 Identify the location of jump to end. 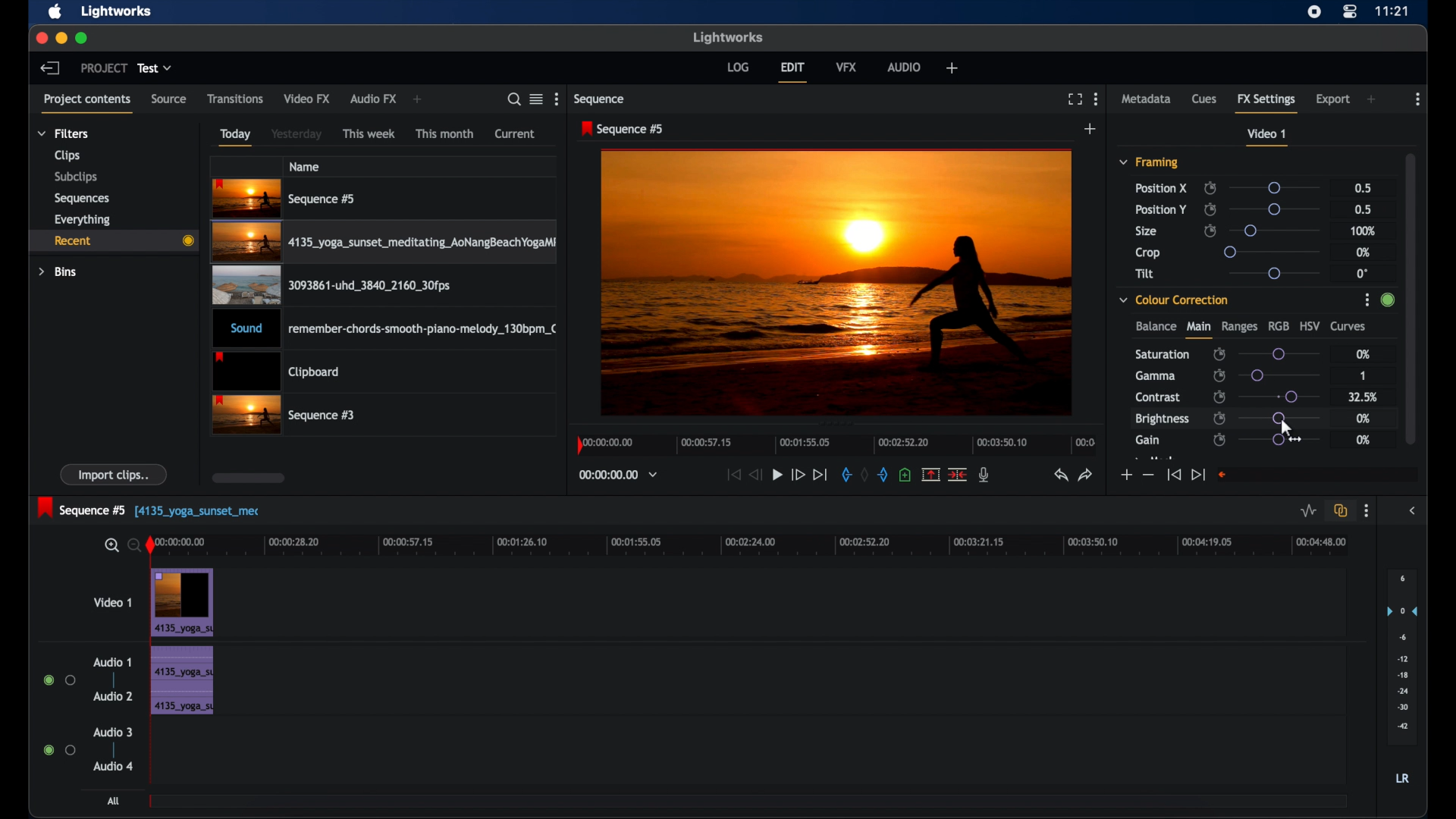
(1197, 475).